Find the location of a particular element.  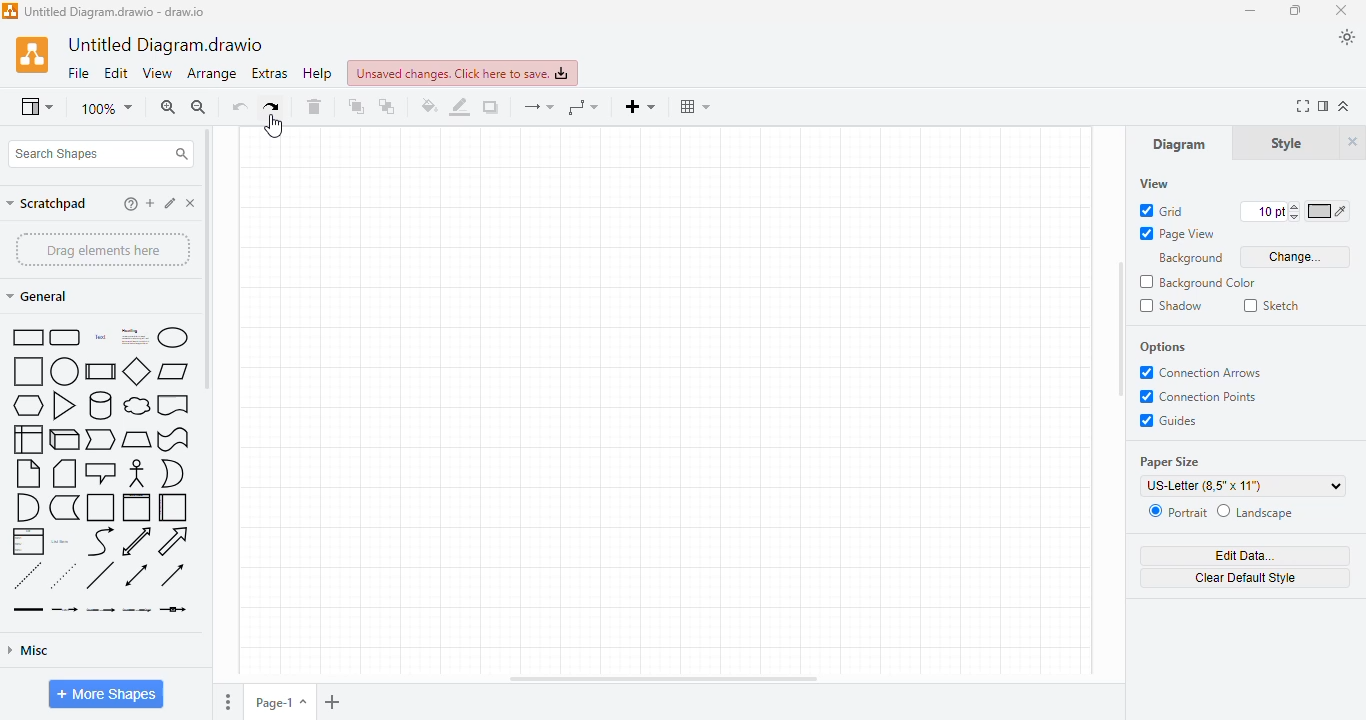

horizontal scroll bar is located at coordinates (663, 678).